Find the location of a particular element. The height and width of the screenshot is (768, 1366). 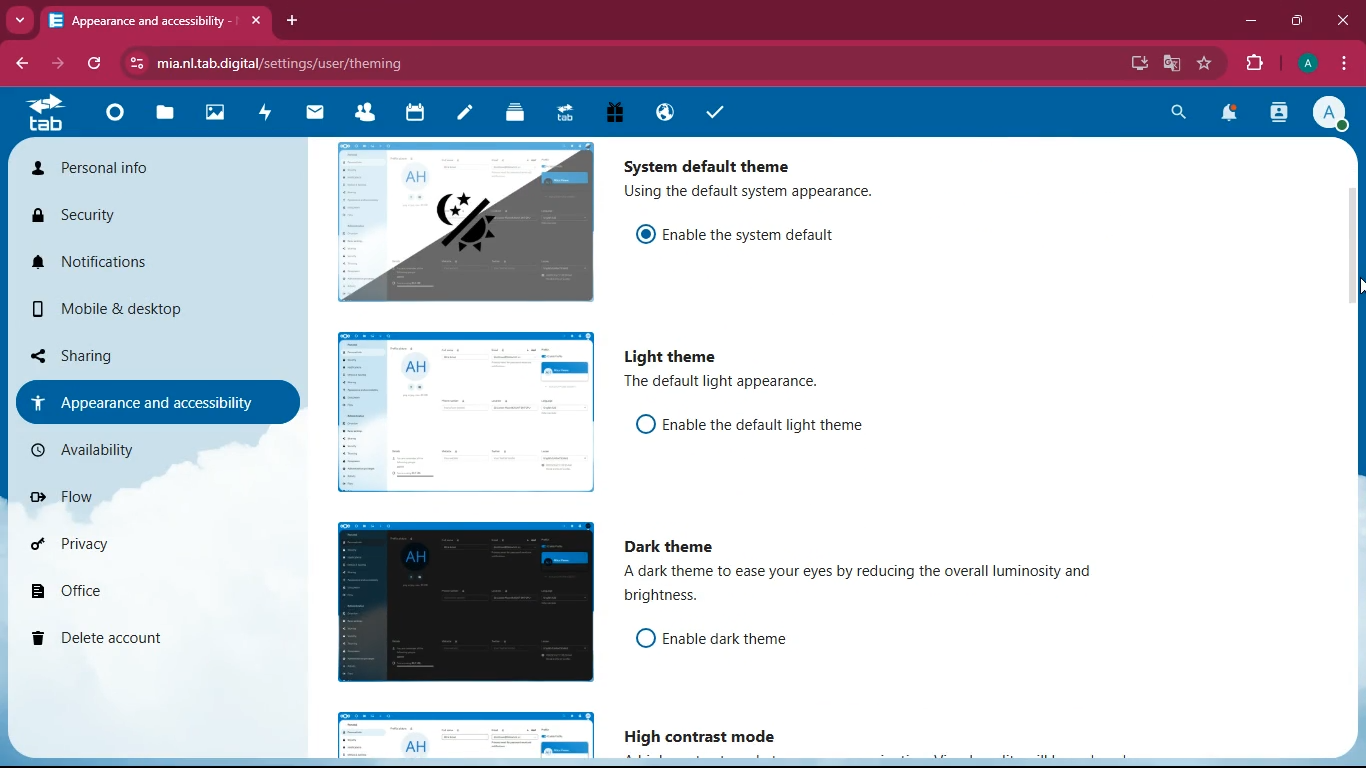

image is located at coordinates (466, 220).